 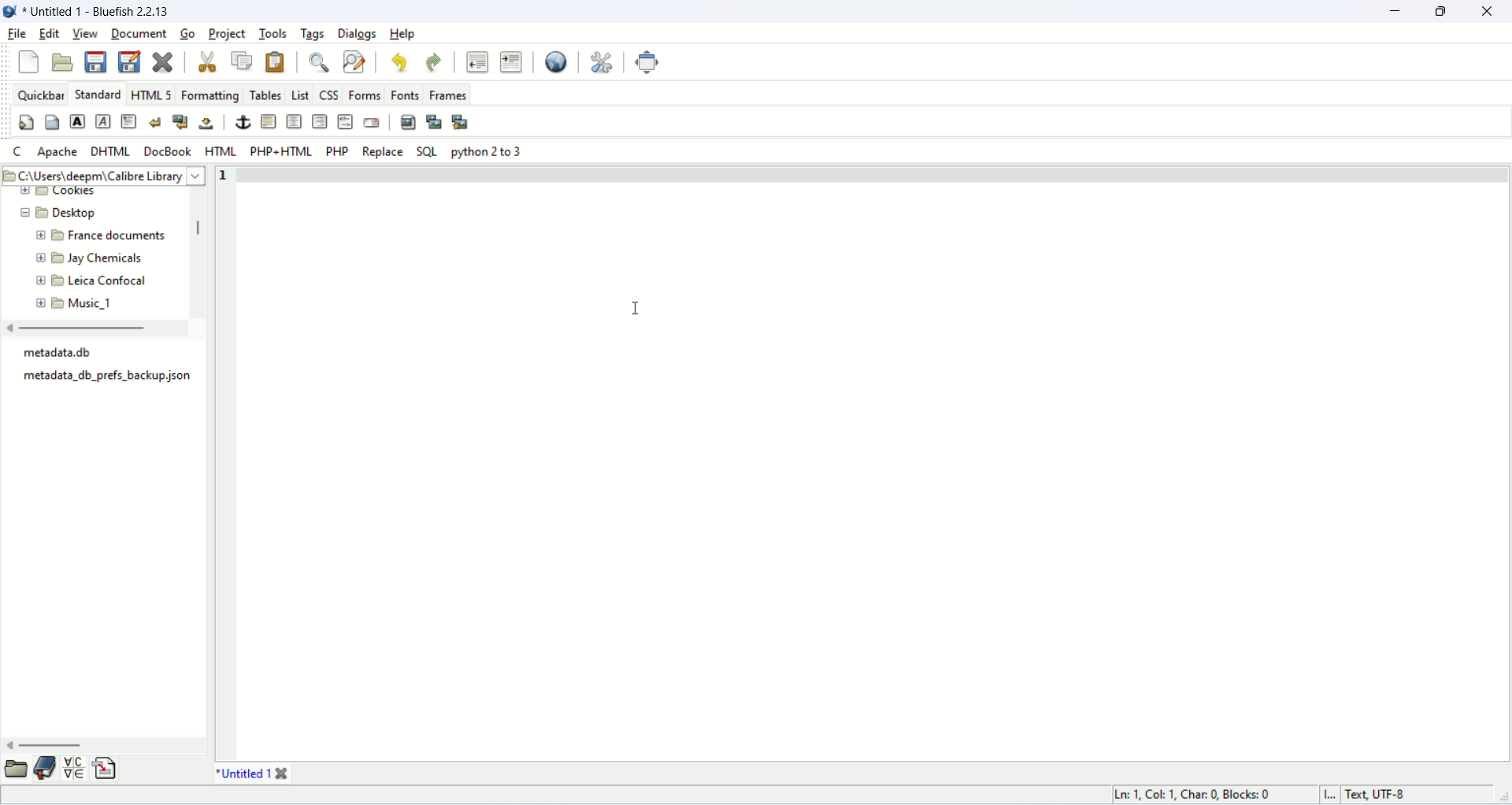 What do you see at coordinates (208, 123) in the screenshot?
I see `non breaking space` at bounding box center [208, 123].